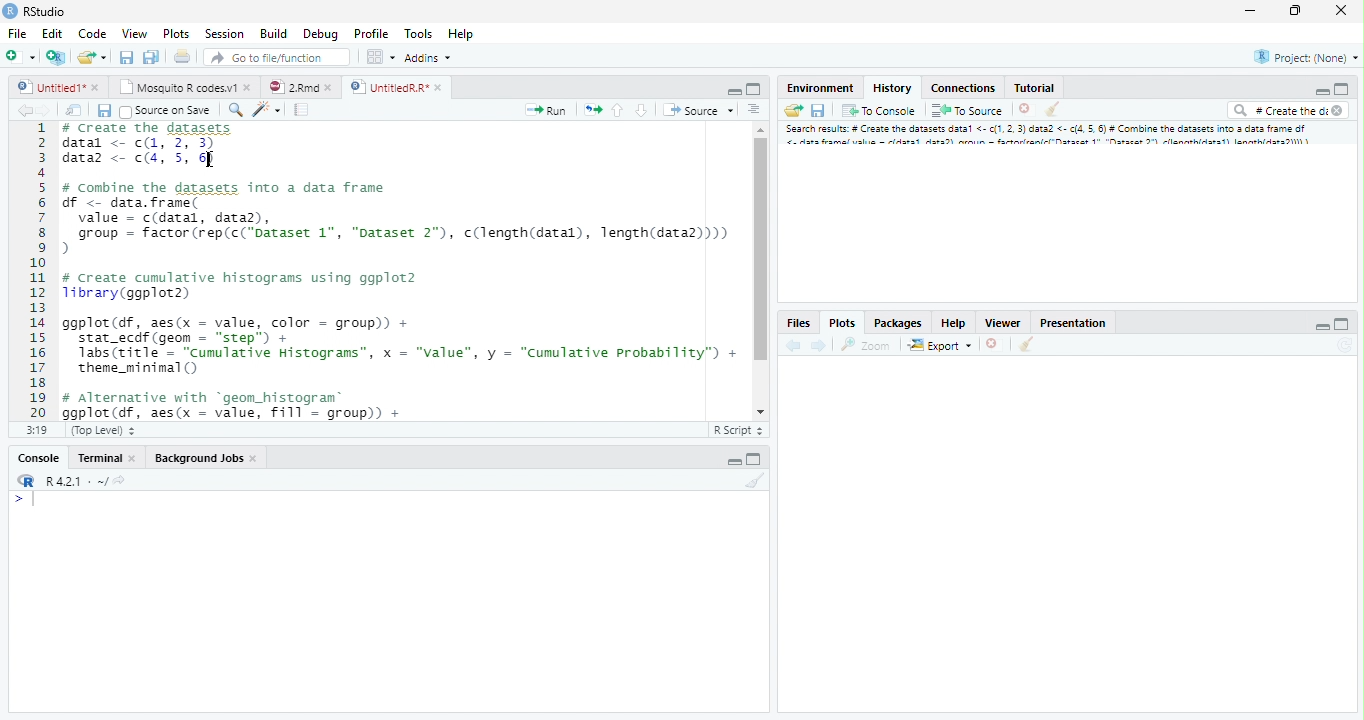  I want to click on Build, so click(275, 34).